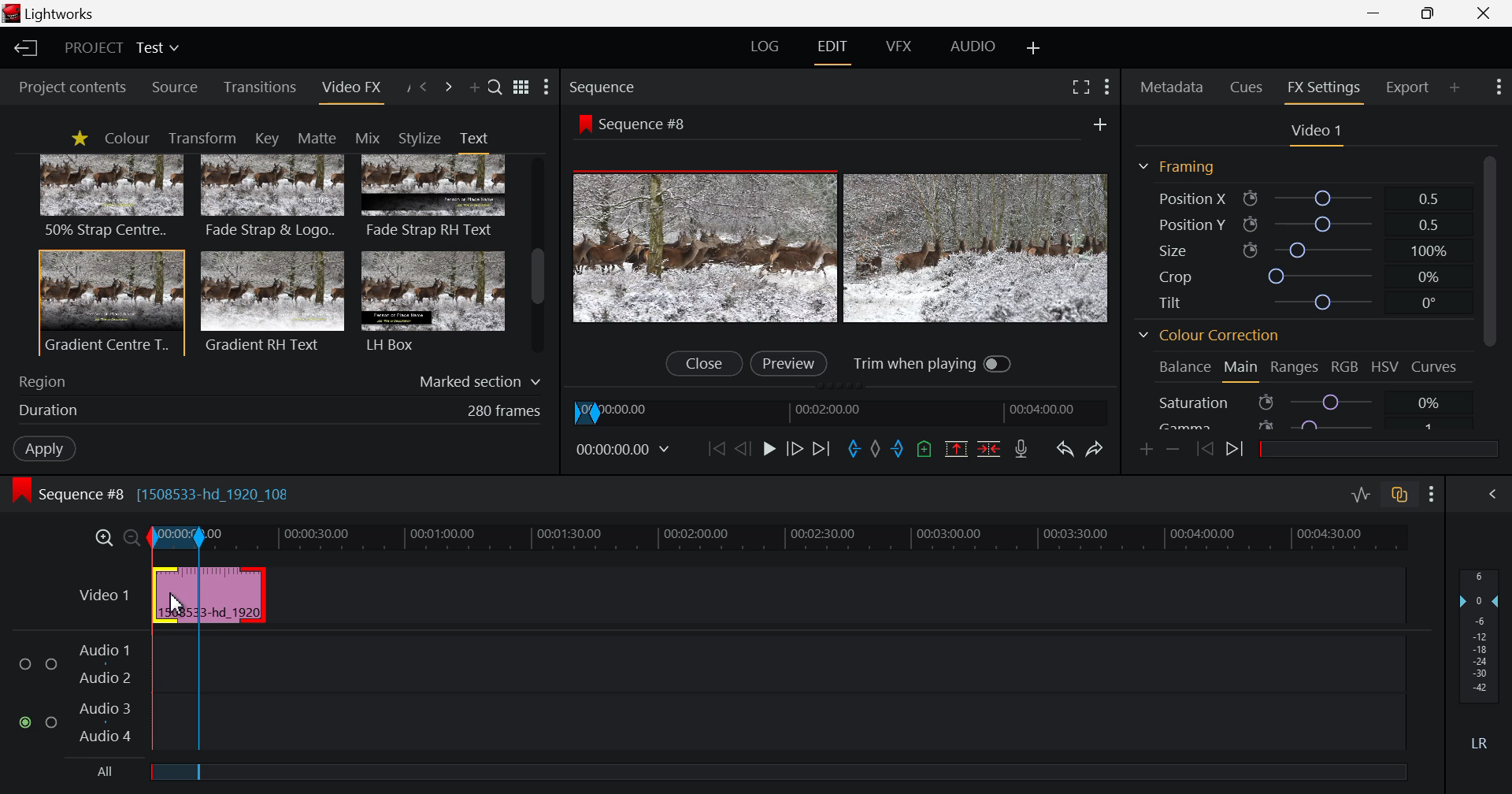 The height and width of the screenshot is (794, 1512). I want to click on Settings, so click(1106, 85).